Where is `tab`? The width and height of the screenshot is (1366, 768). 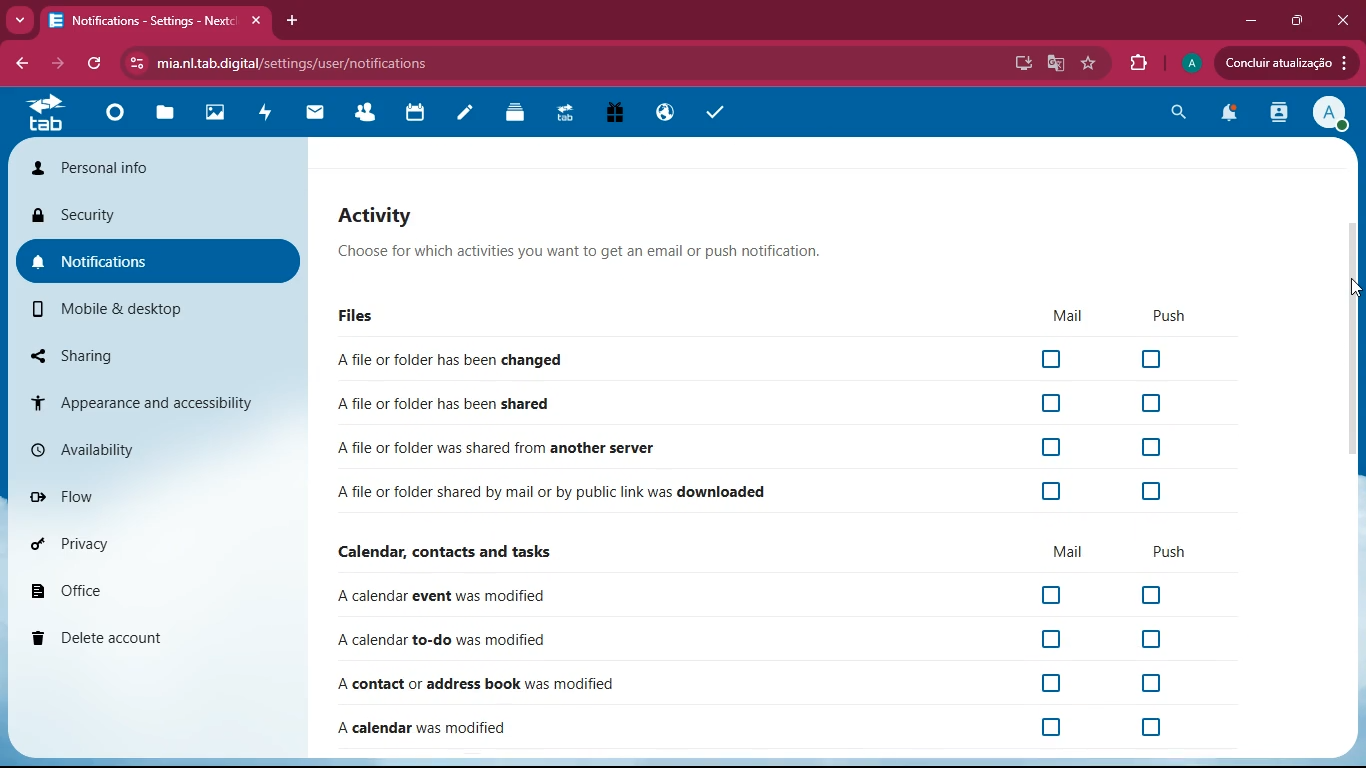
tab is located at coordinates (569, 114).